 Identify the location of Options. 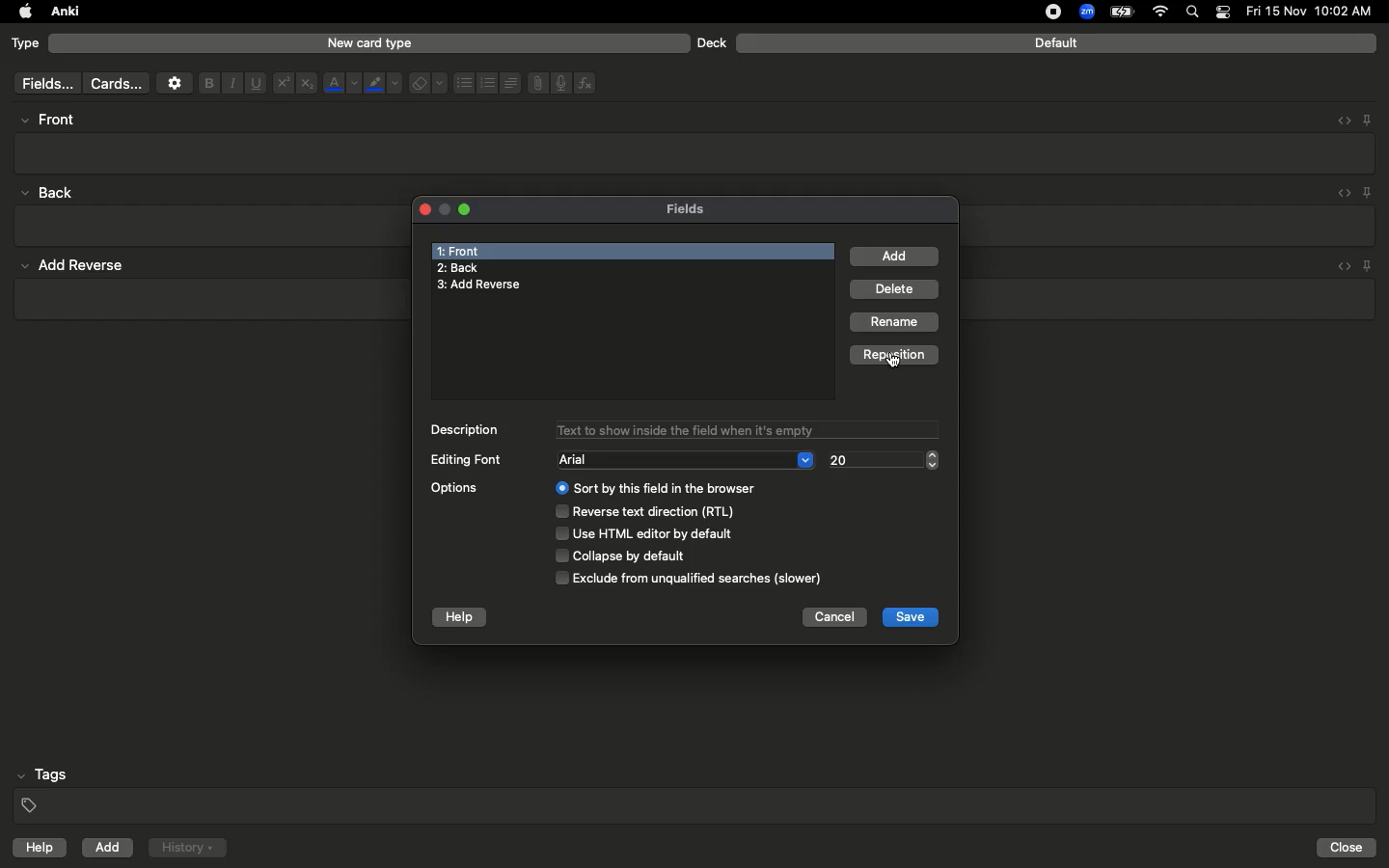
(625, 531).